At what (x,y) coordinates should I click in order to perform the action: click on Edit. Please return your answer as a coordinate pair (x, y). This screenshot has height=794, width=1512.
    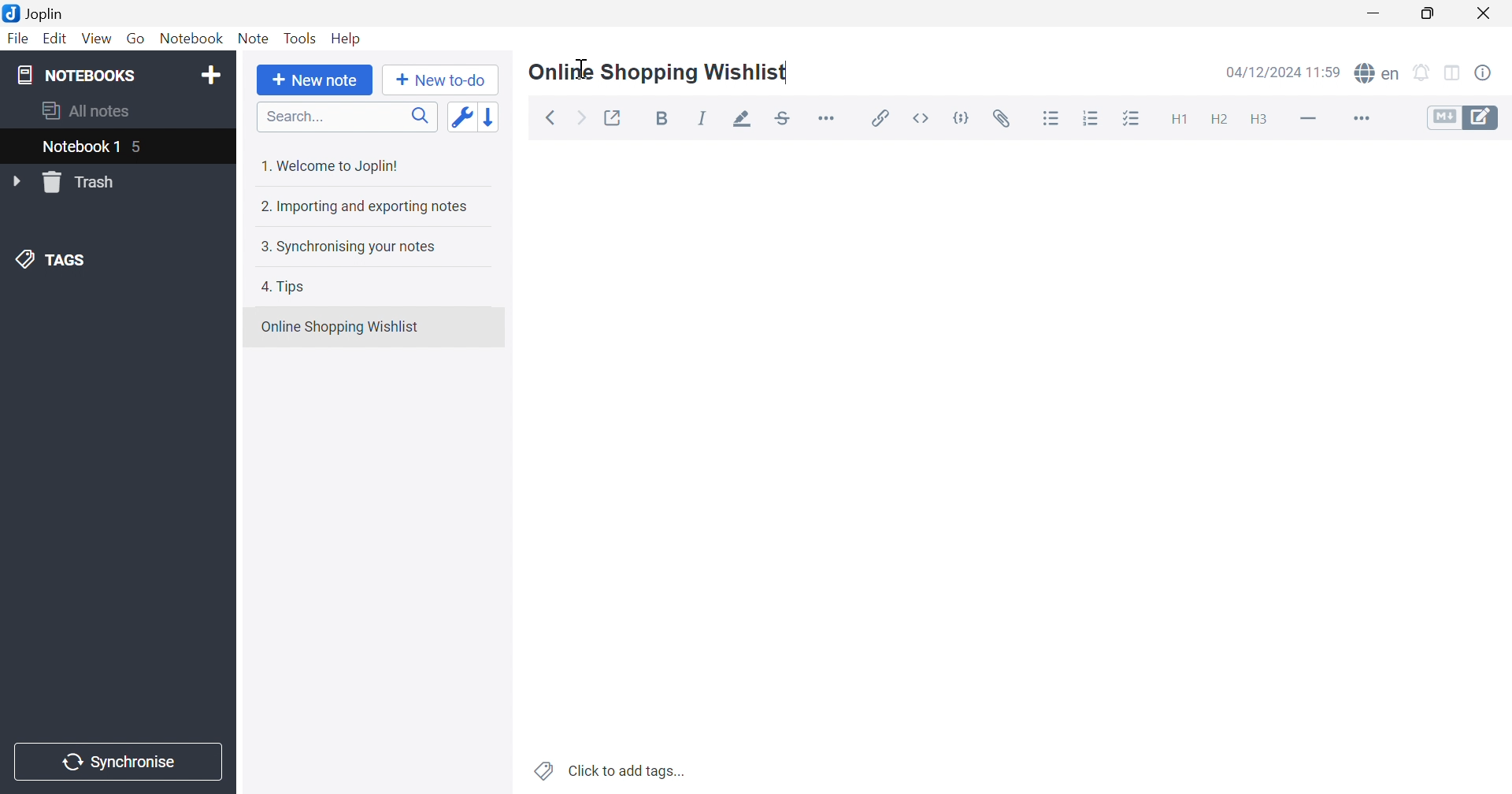
    Looking at the image, I should click on (56, 39).